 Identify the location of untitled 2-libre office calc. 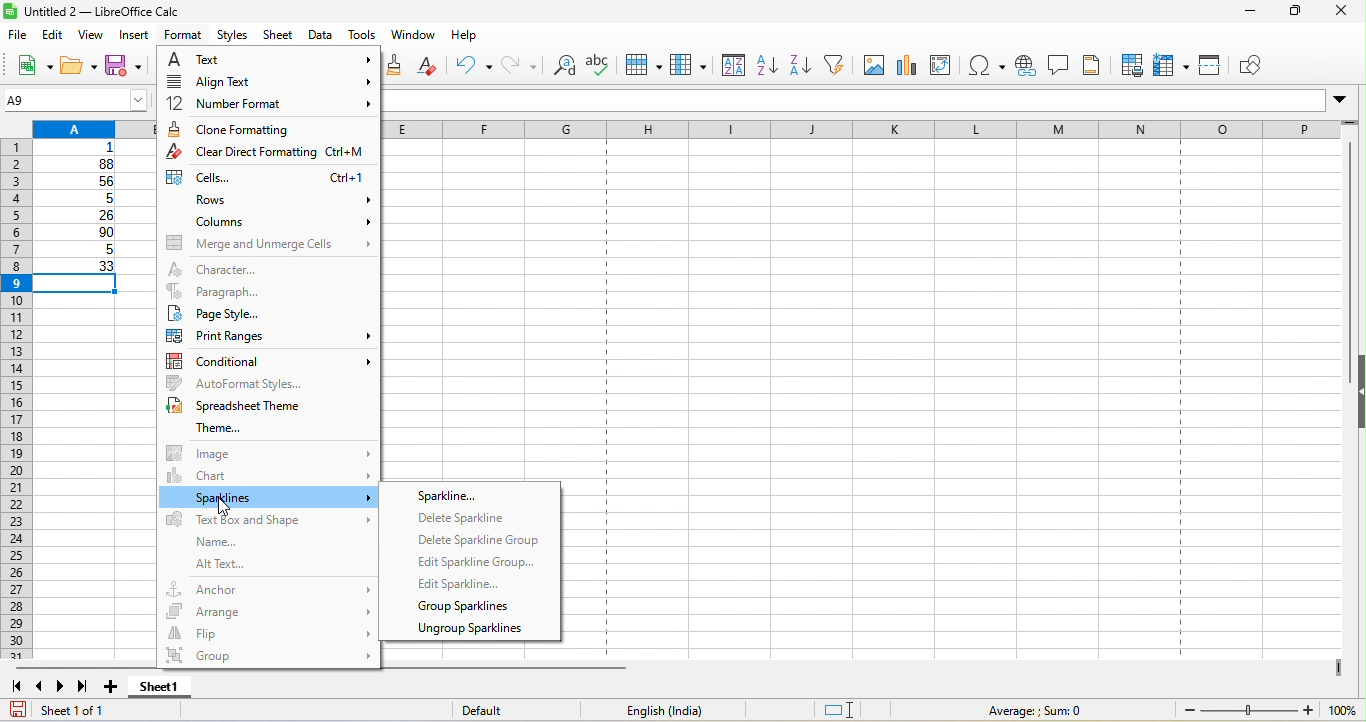
(163, 12).